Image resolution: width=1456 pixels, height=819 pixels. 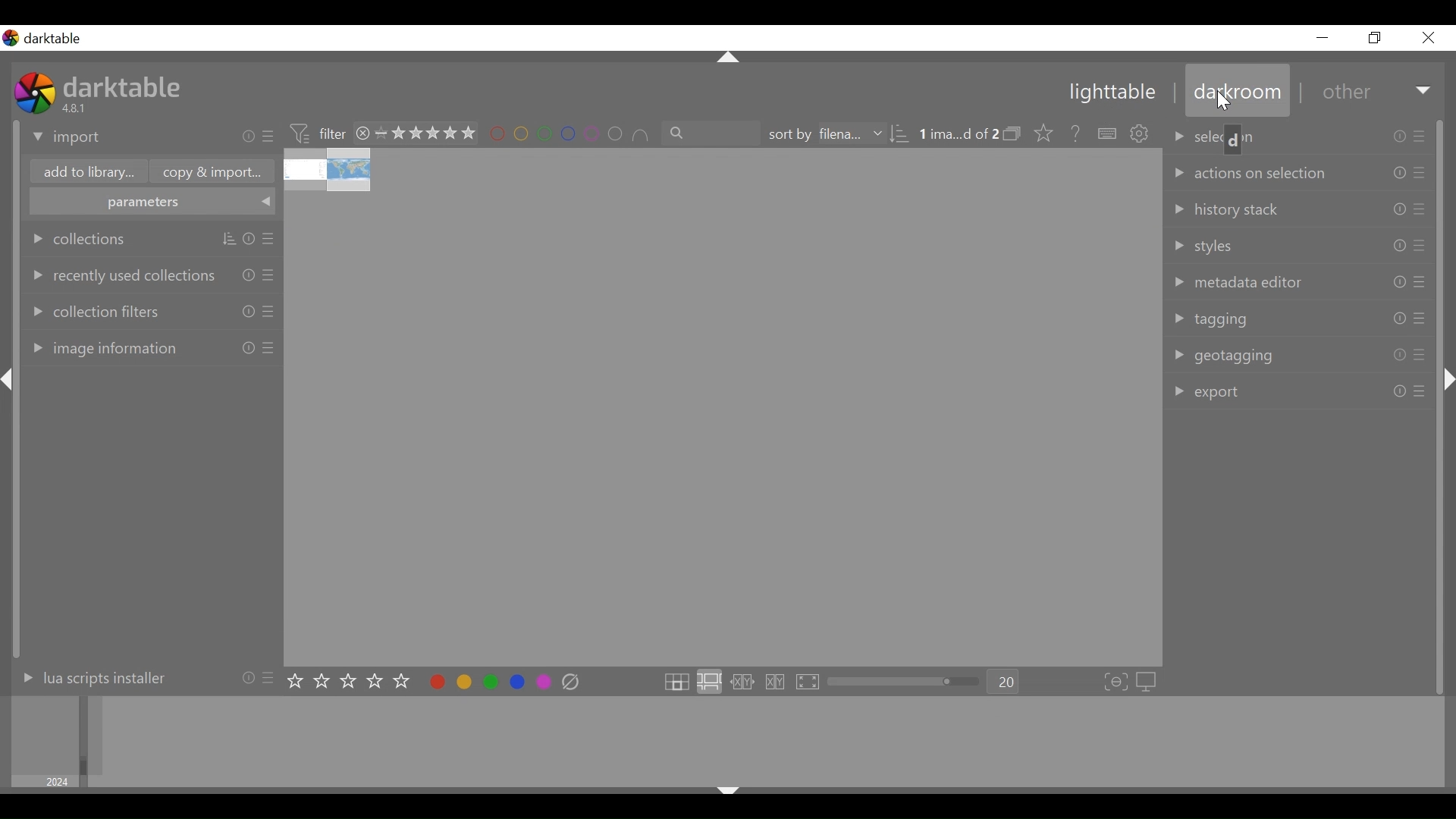 What do you see at coordinates (248, 240) in the screenshot?
I see `` at bounding box center [248, 240].